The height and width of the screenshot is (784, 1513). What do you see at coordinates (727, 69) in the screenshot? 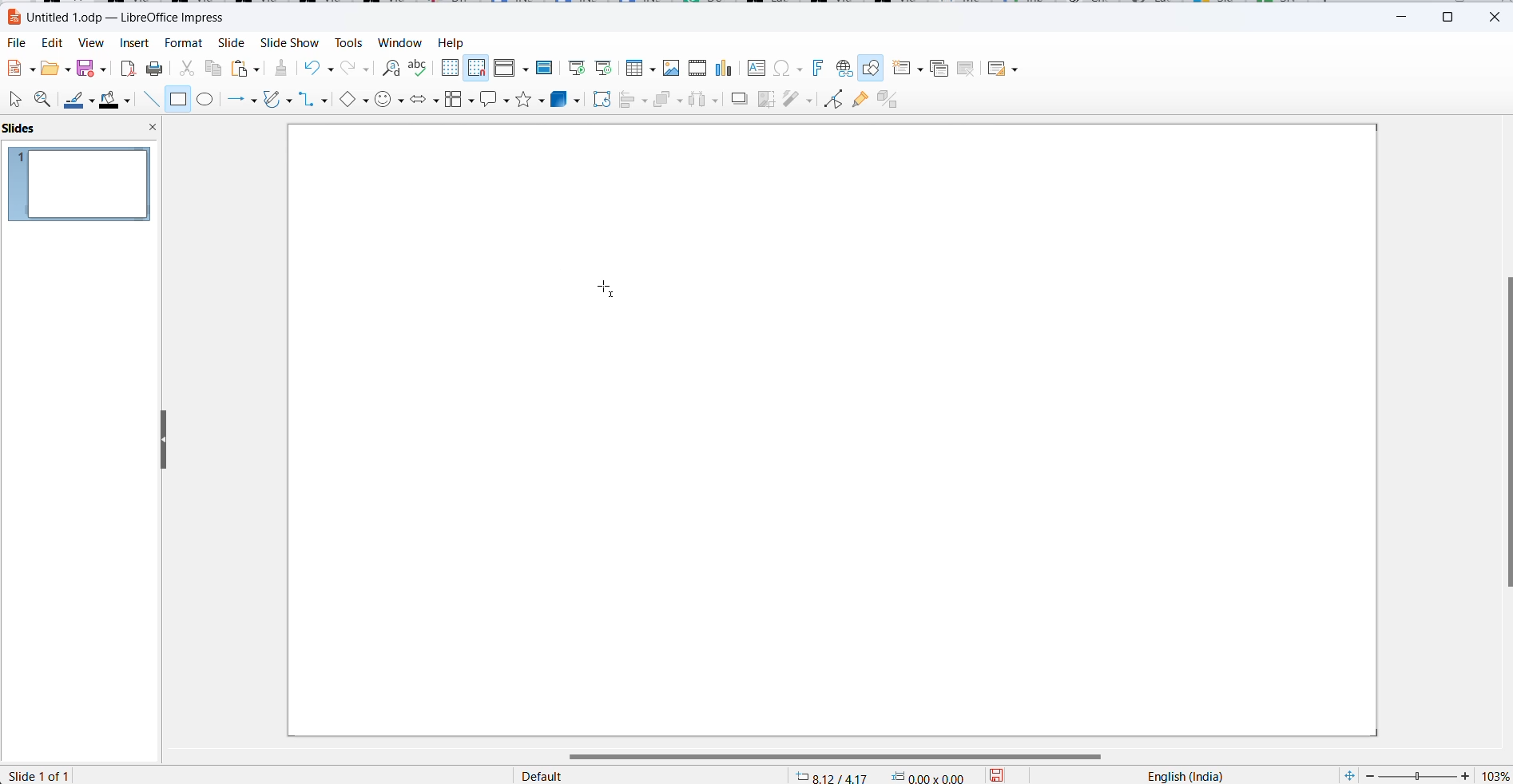
I see `Insert charts` at bounding box center [727, 69].